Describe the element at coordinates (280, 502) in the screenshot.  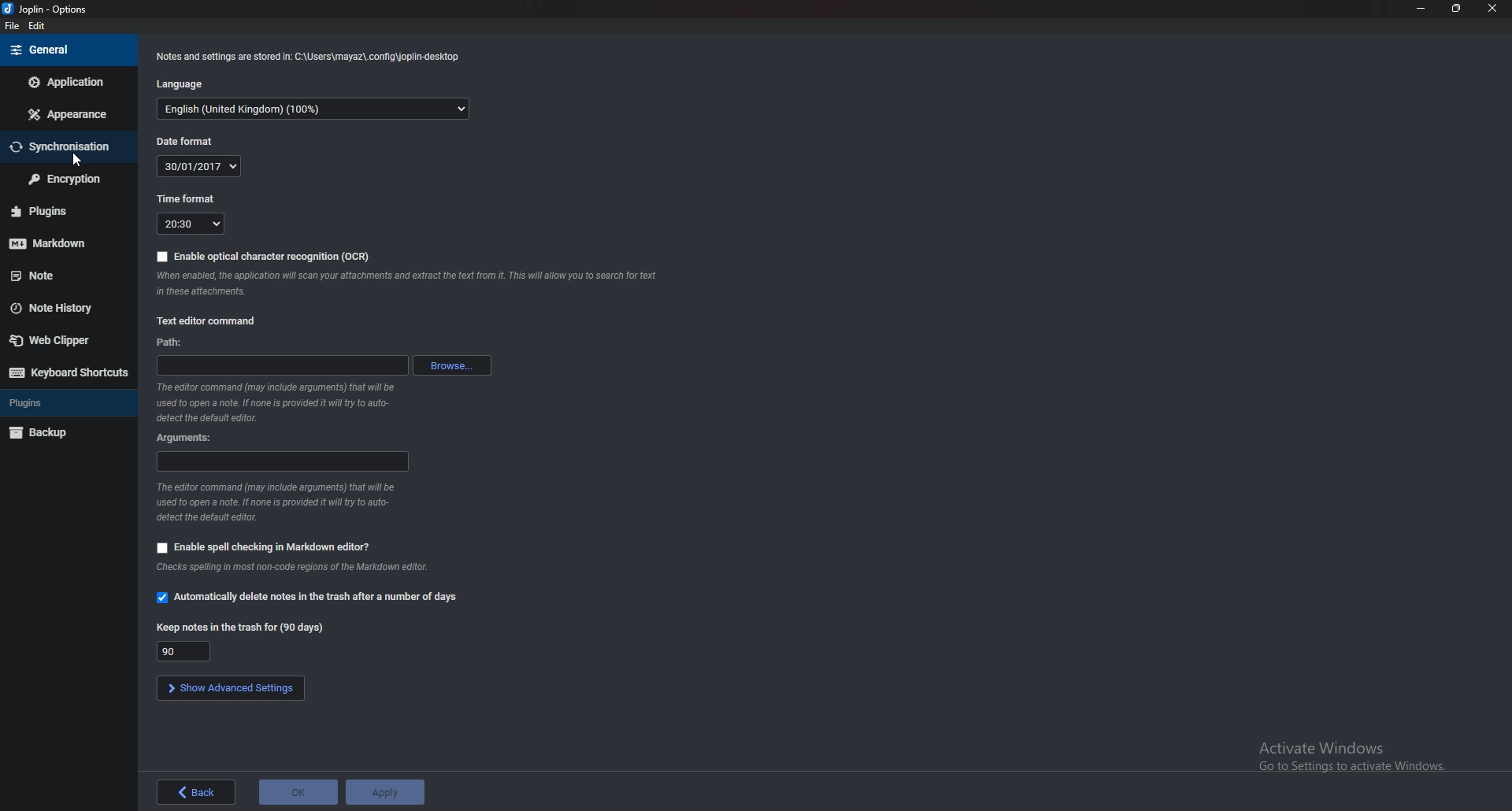
I see `info` at that location.